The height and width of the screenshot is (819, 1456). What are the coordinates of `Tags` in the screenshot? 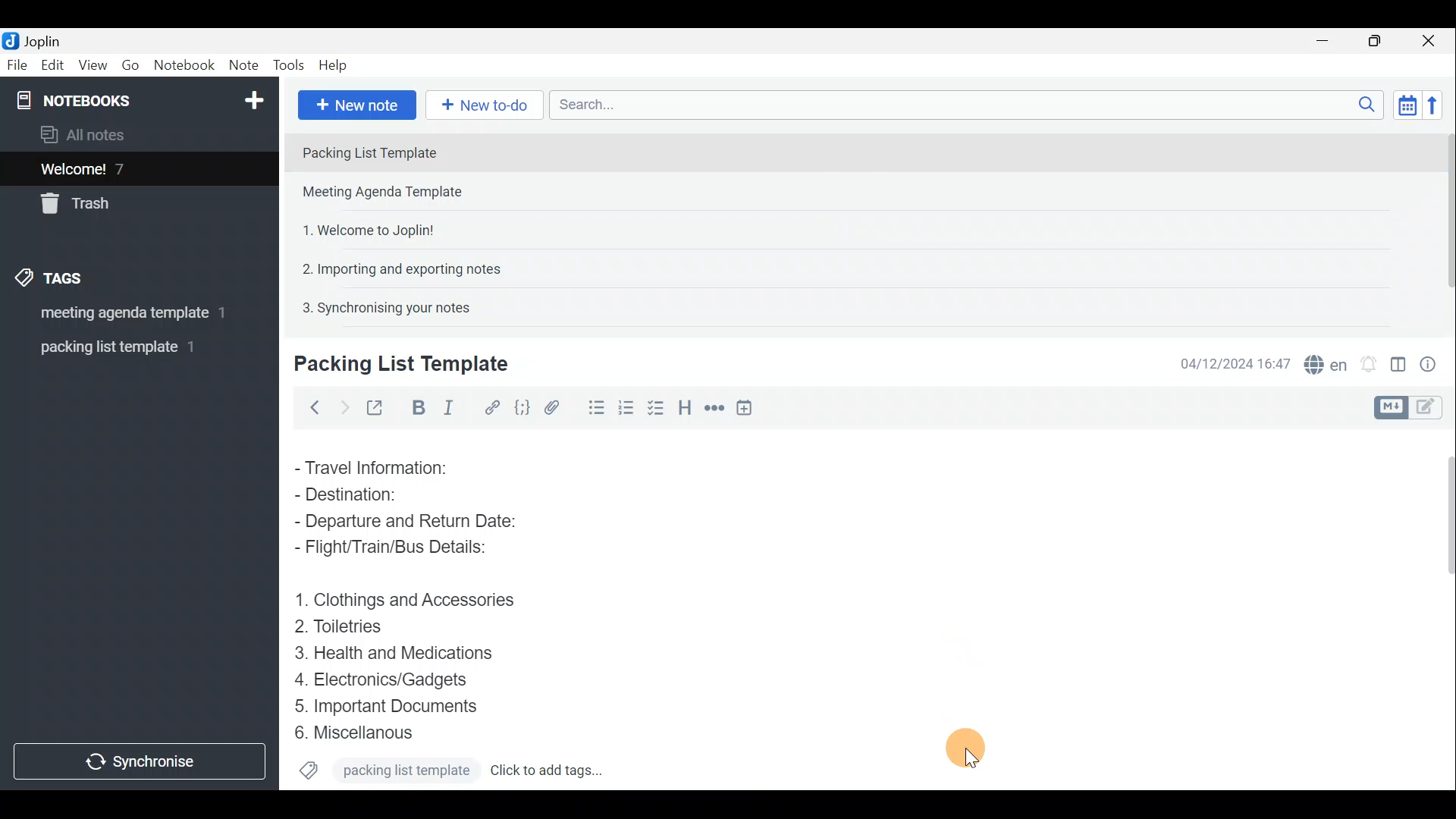 It's located at (74, 281).